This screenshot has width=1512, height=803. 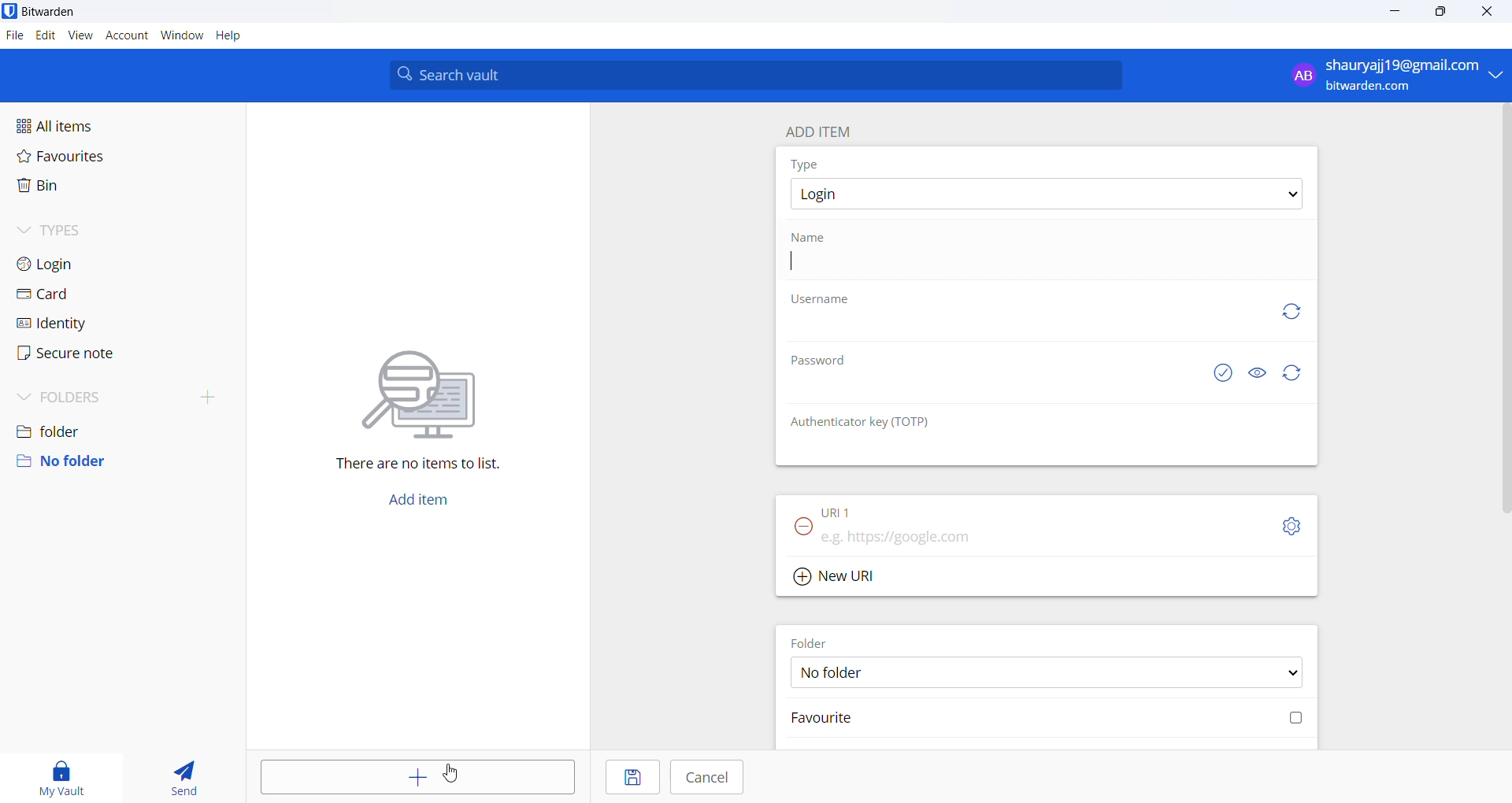 What do you see at coordinates (43, 35) in the screenshot?
I see `edit` at bounding box center [43, 35].